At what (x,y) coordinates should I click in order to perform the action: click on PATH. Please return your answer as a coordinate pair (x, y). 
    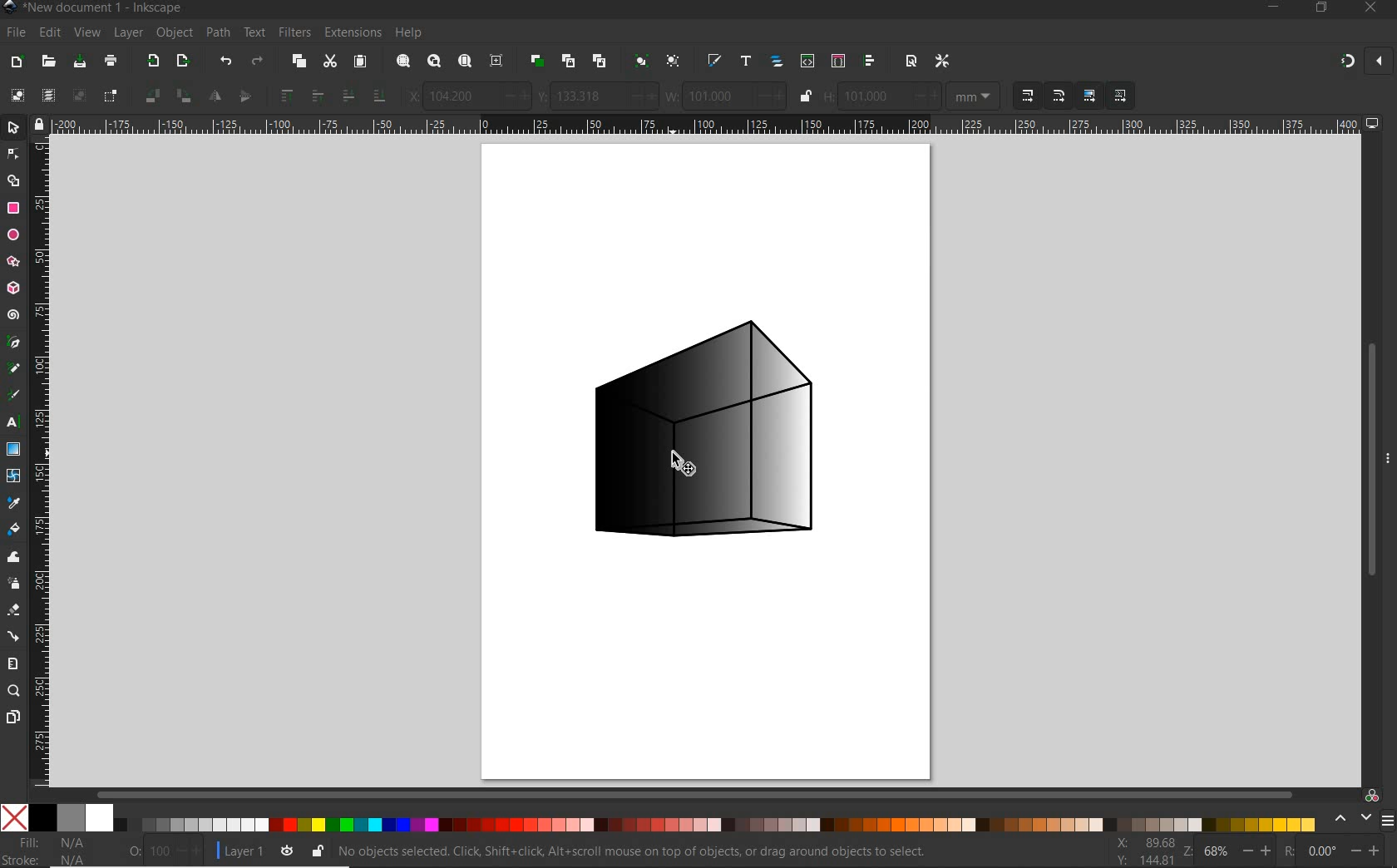
    Looking at the image, I should click on (216, 33).